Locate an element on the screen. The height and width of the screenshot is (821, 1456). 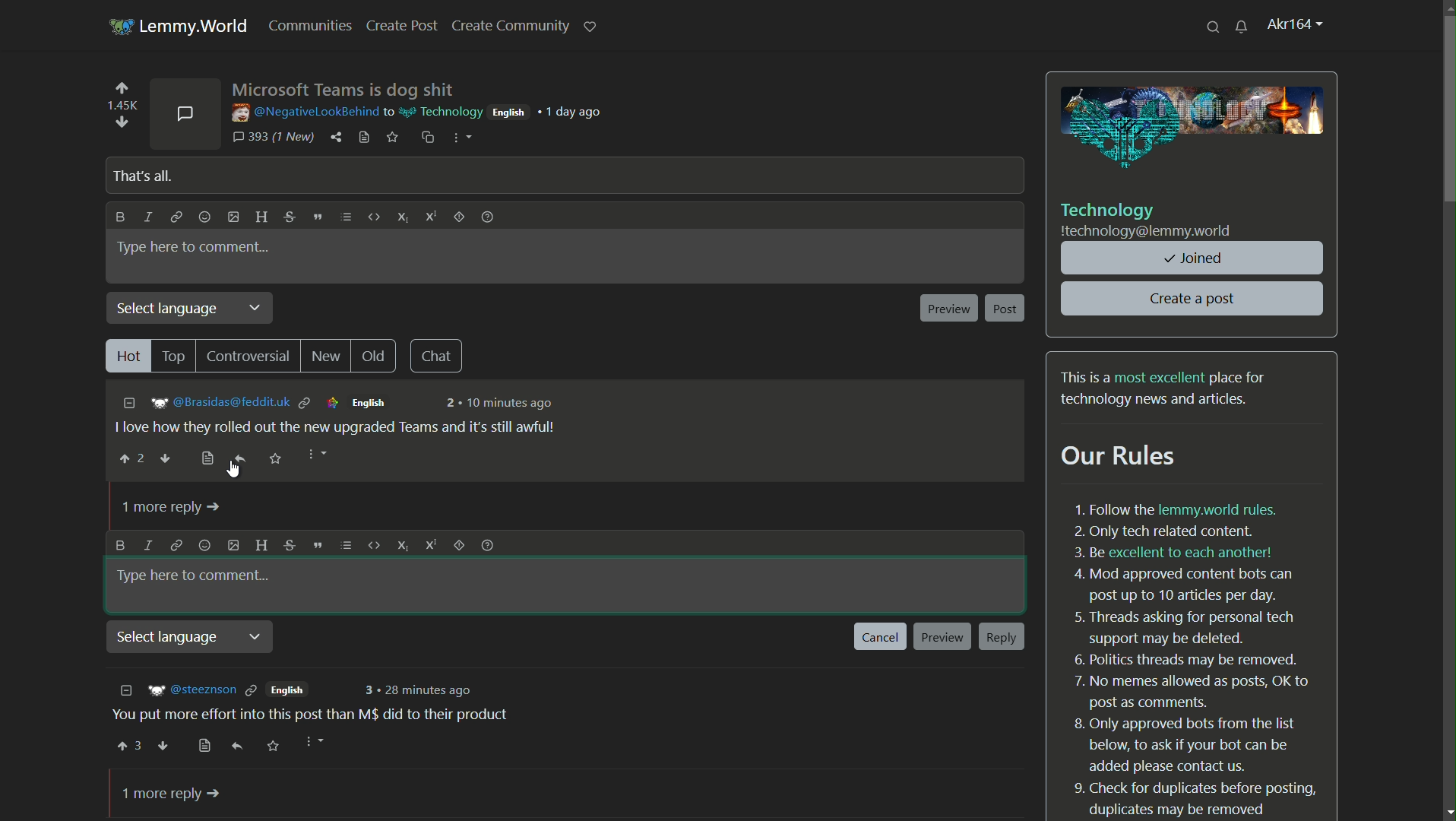
top is located at coordinates (176, 355).